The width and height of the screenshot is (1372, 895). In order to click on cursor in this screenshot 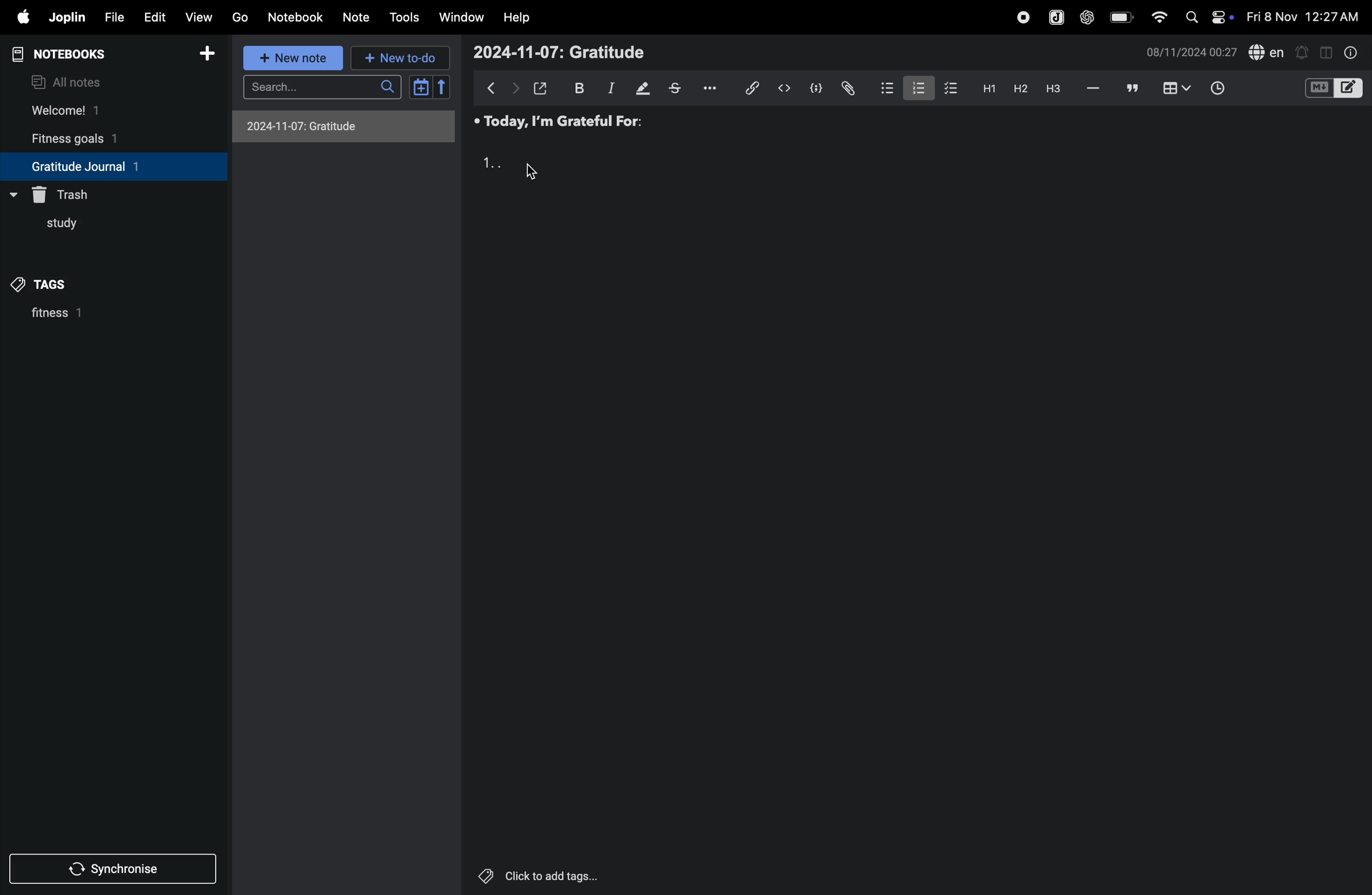, I will do `click(531, 172)`.